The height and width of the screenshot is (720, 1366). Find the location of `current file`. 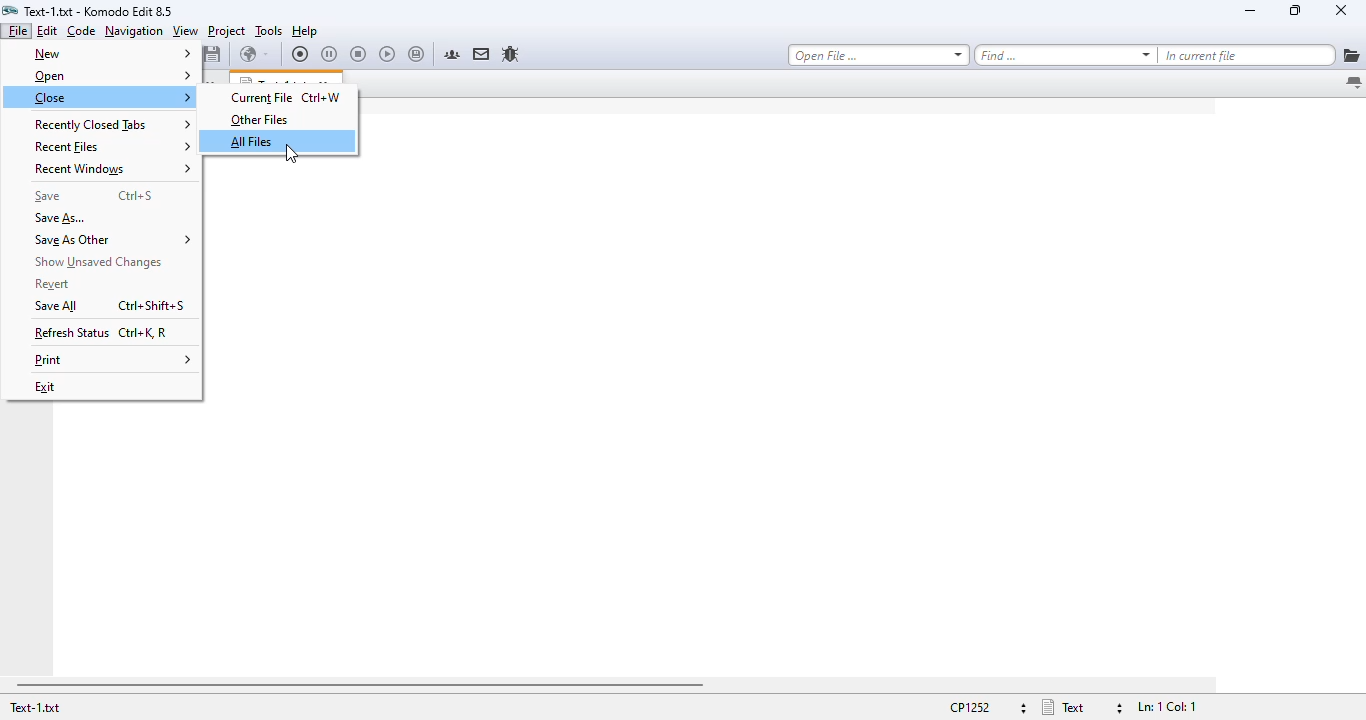

current file is located at coordinates (260, 97).